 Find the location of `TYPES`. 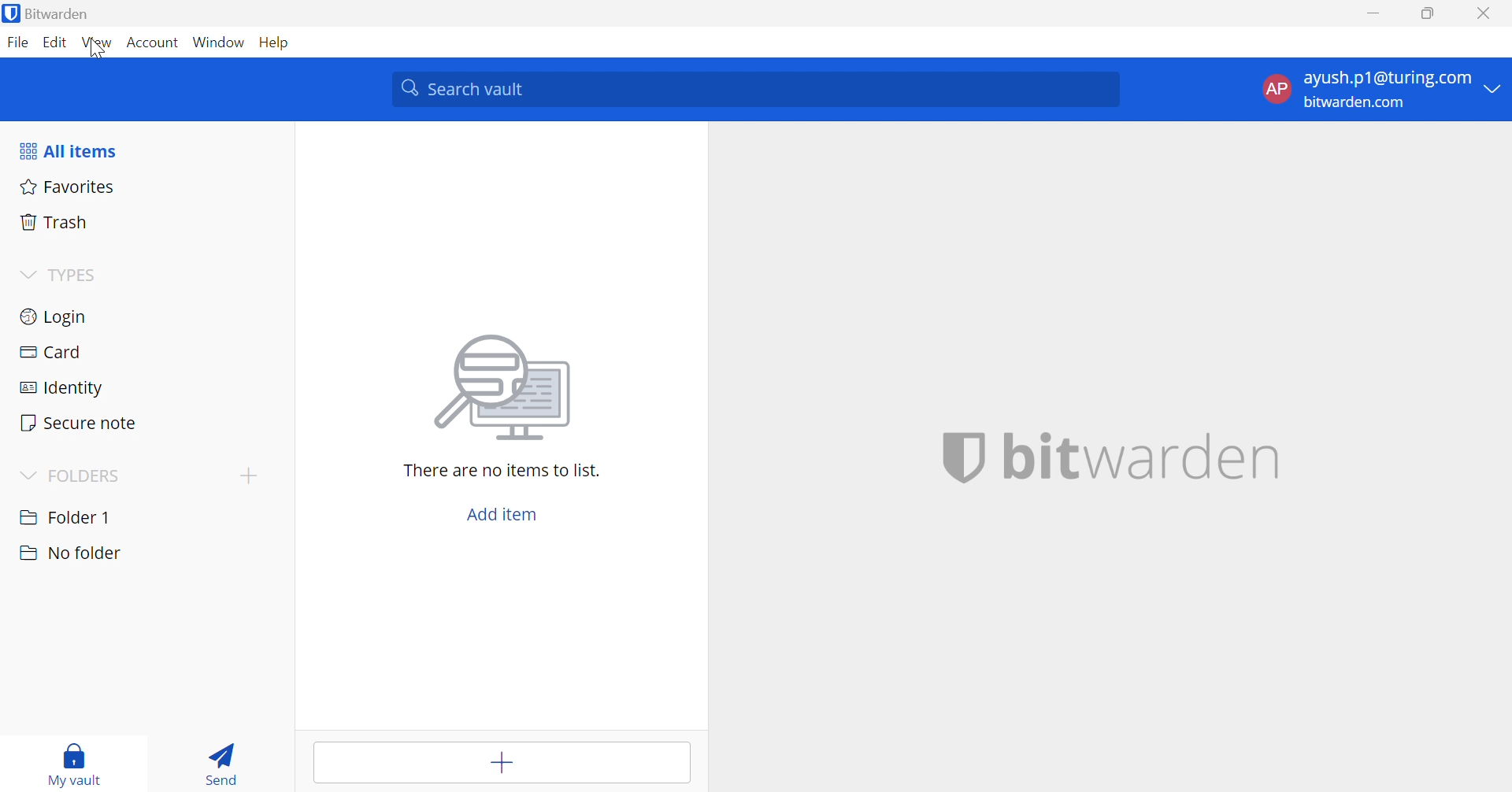

TYPES is located at coordinates (73, 274).